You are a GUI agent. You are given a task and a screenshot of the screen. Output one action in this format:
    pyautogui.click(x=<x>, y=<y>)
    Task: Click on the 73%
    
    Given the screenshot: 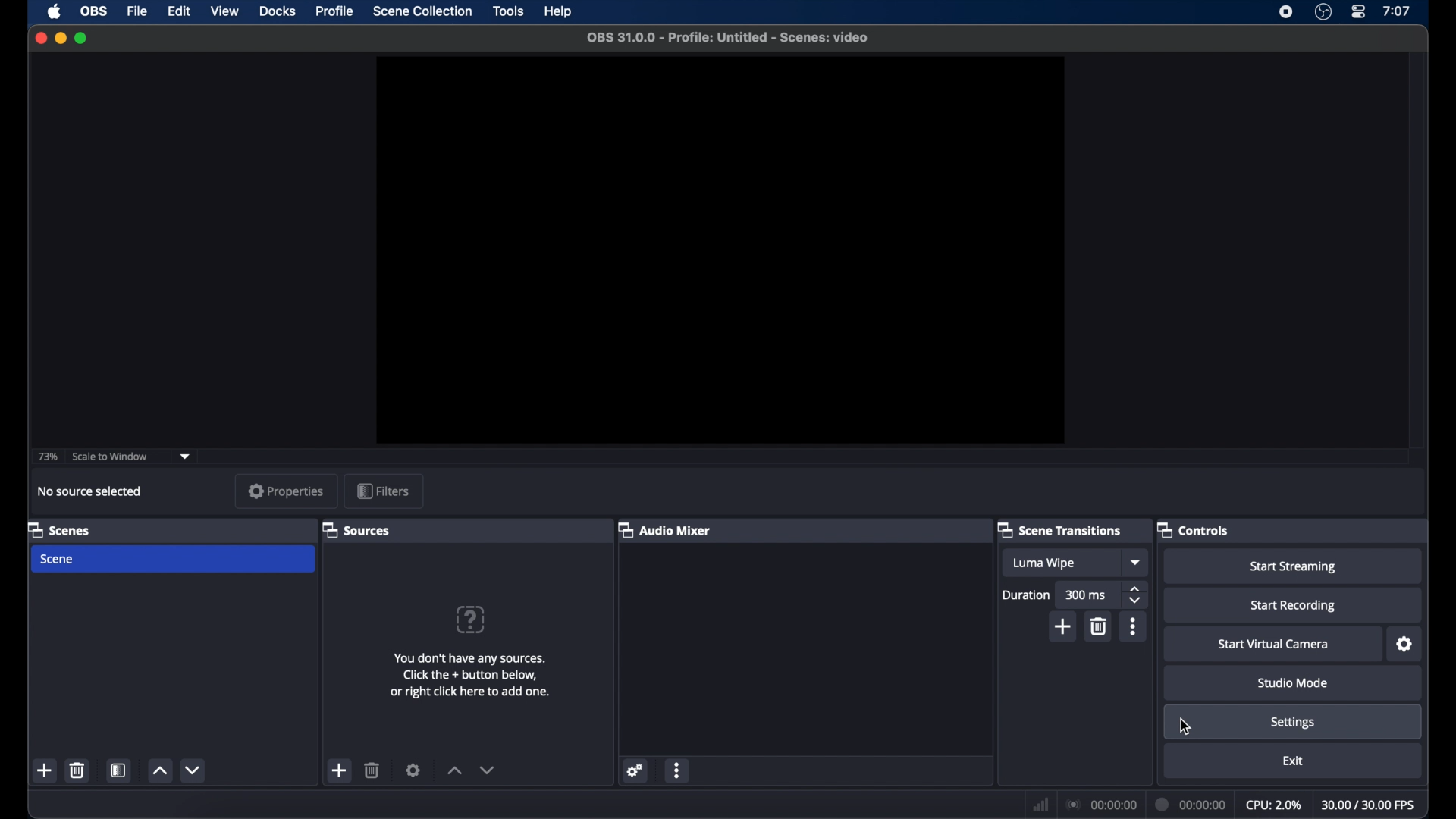 What is the action you would take?
    pyautogui.click(x=46, y=457)
    